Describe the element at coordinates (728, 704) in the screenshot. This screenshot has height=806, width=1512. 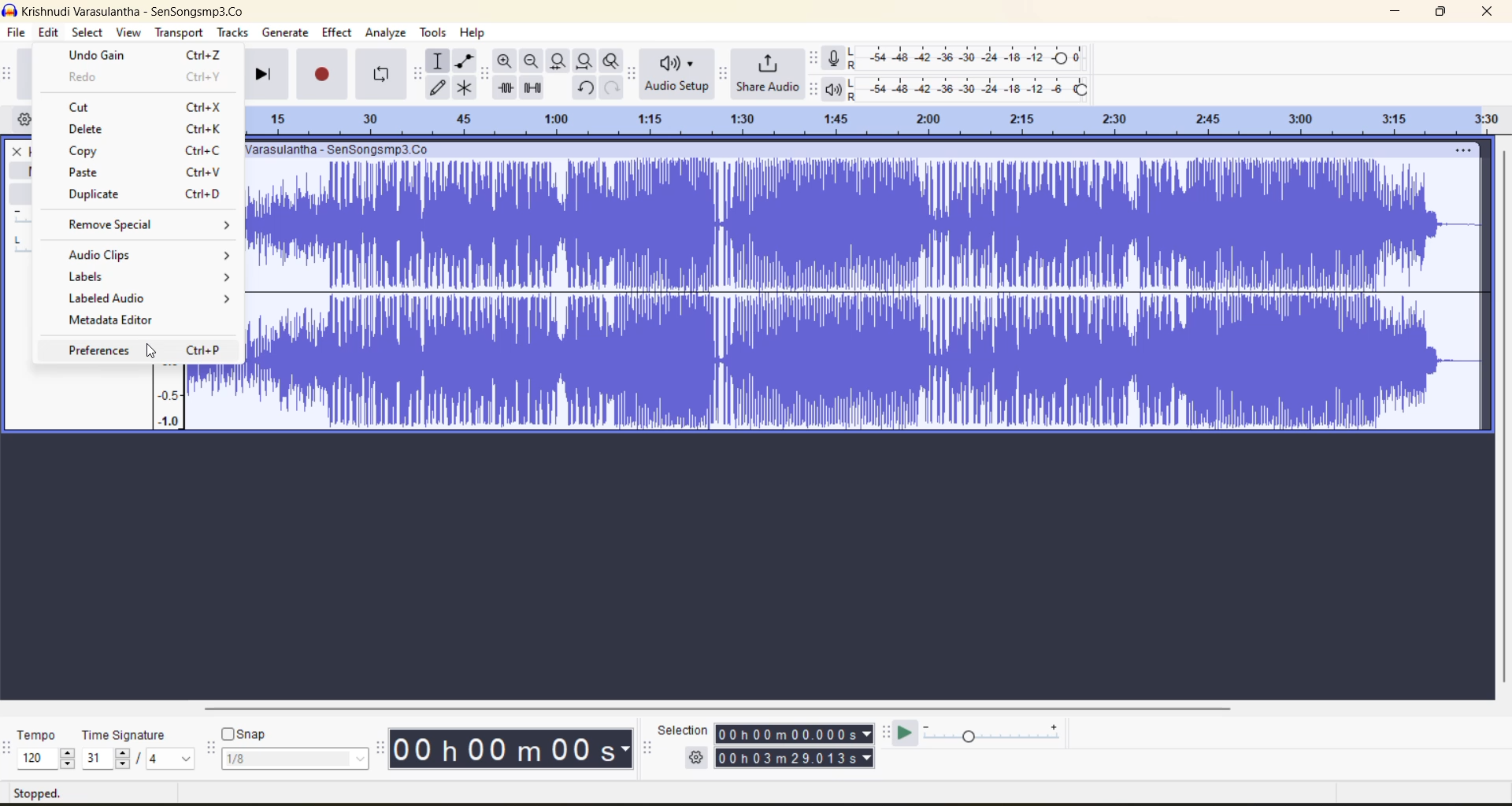
I see `horizontal scroll bar` at that location.